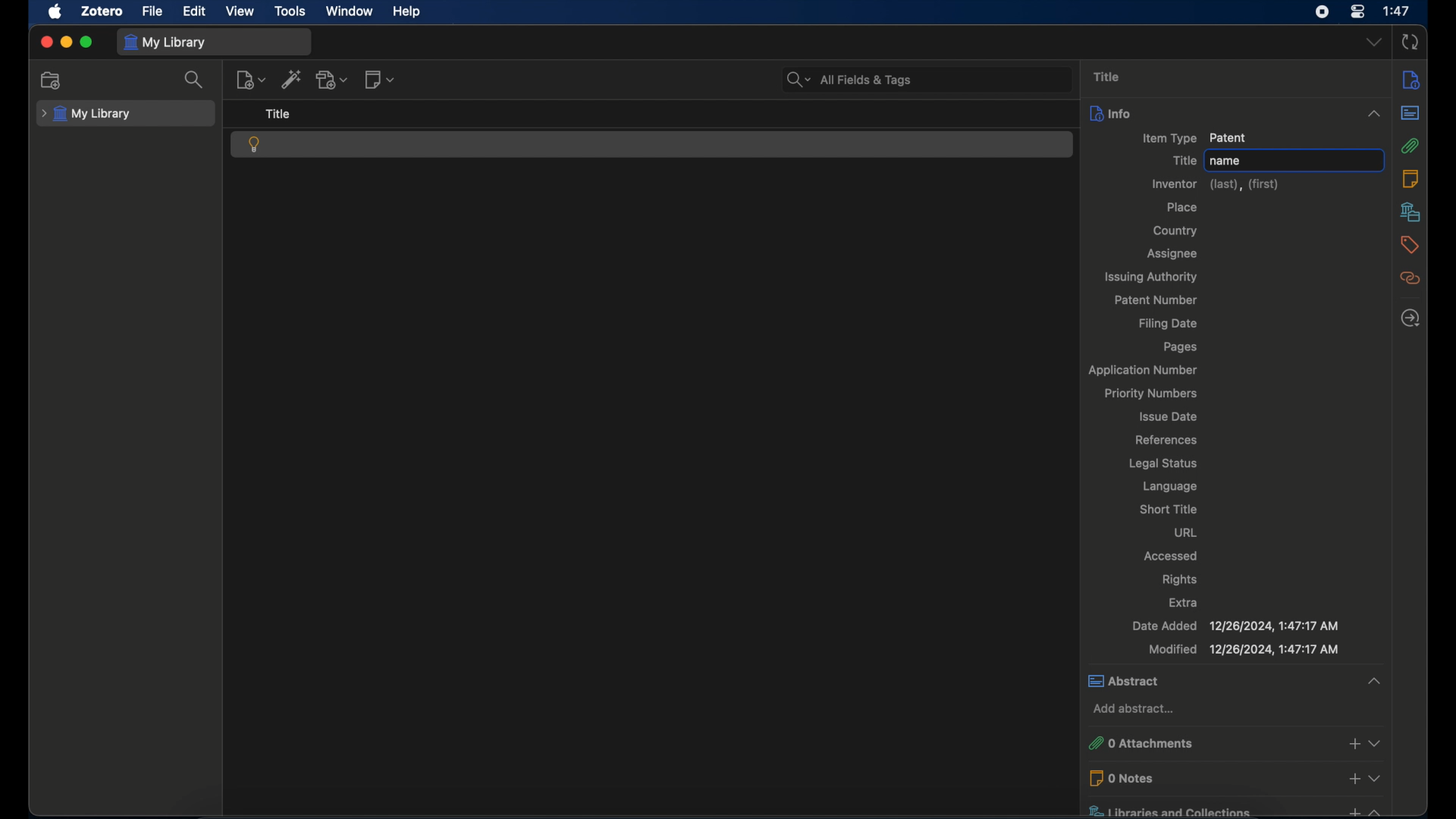  I want to click on rights, so click(1180, 579).